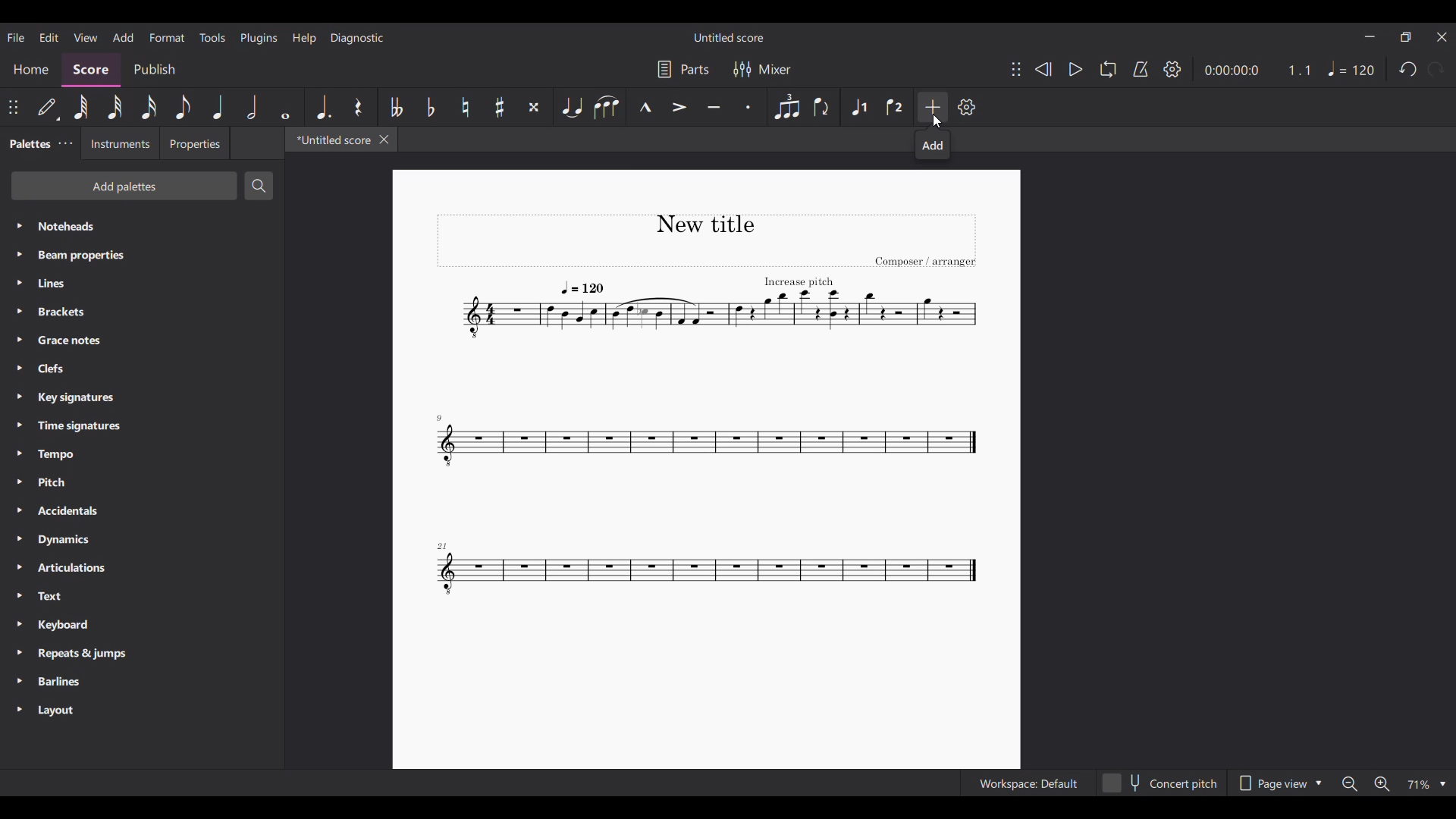  What do you see at coordinates (1277, 783) in the screenshot?
I see `Page view options` at bounding box center [1277, 783].